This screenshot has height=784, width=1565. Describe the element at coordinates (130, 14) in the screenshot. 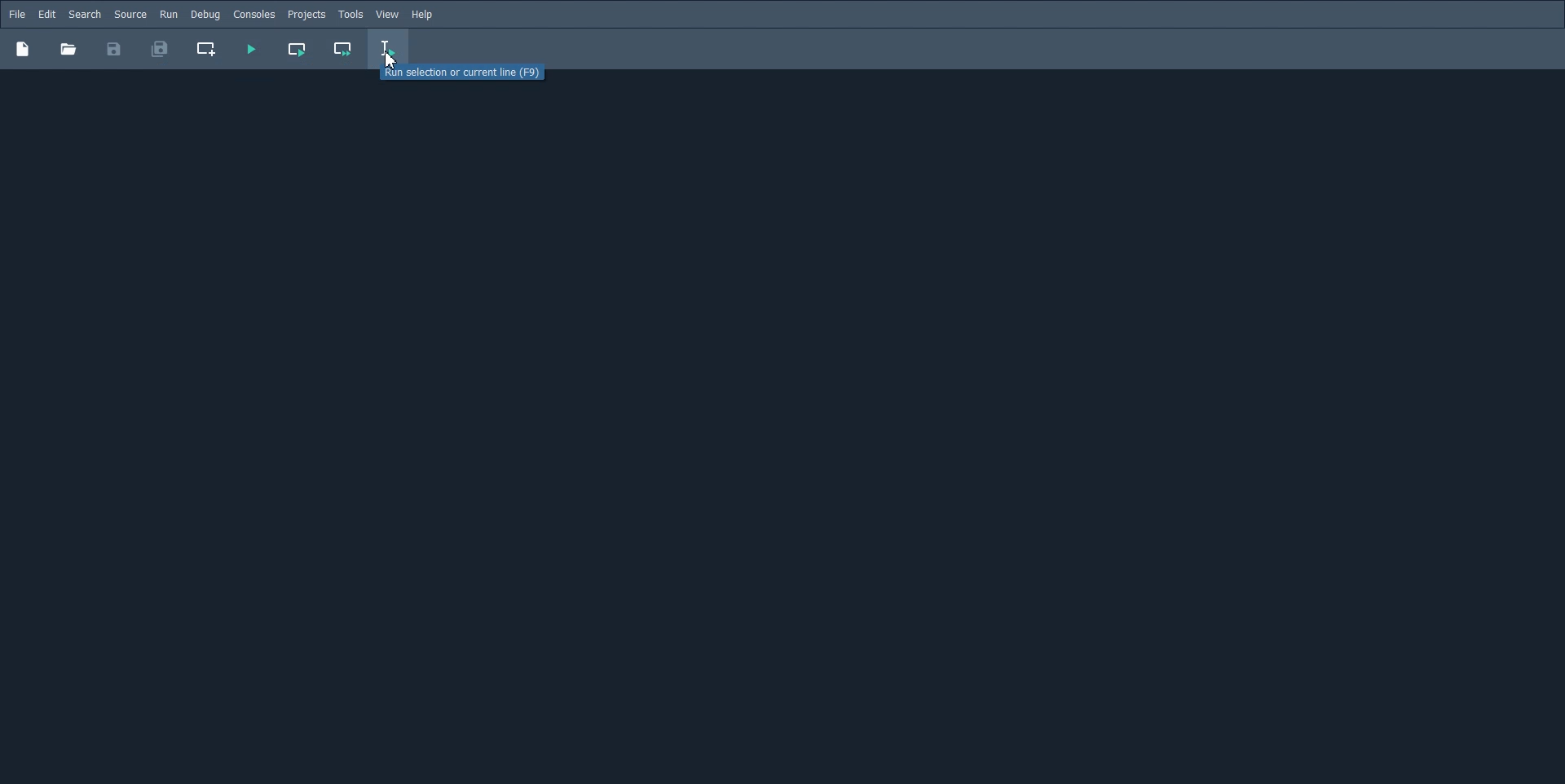

I see `Source` at that location.